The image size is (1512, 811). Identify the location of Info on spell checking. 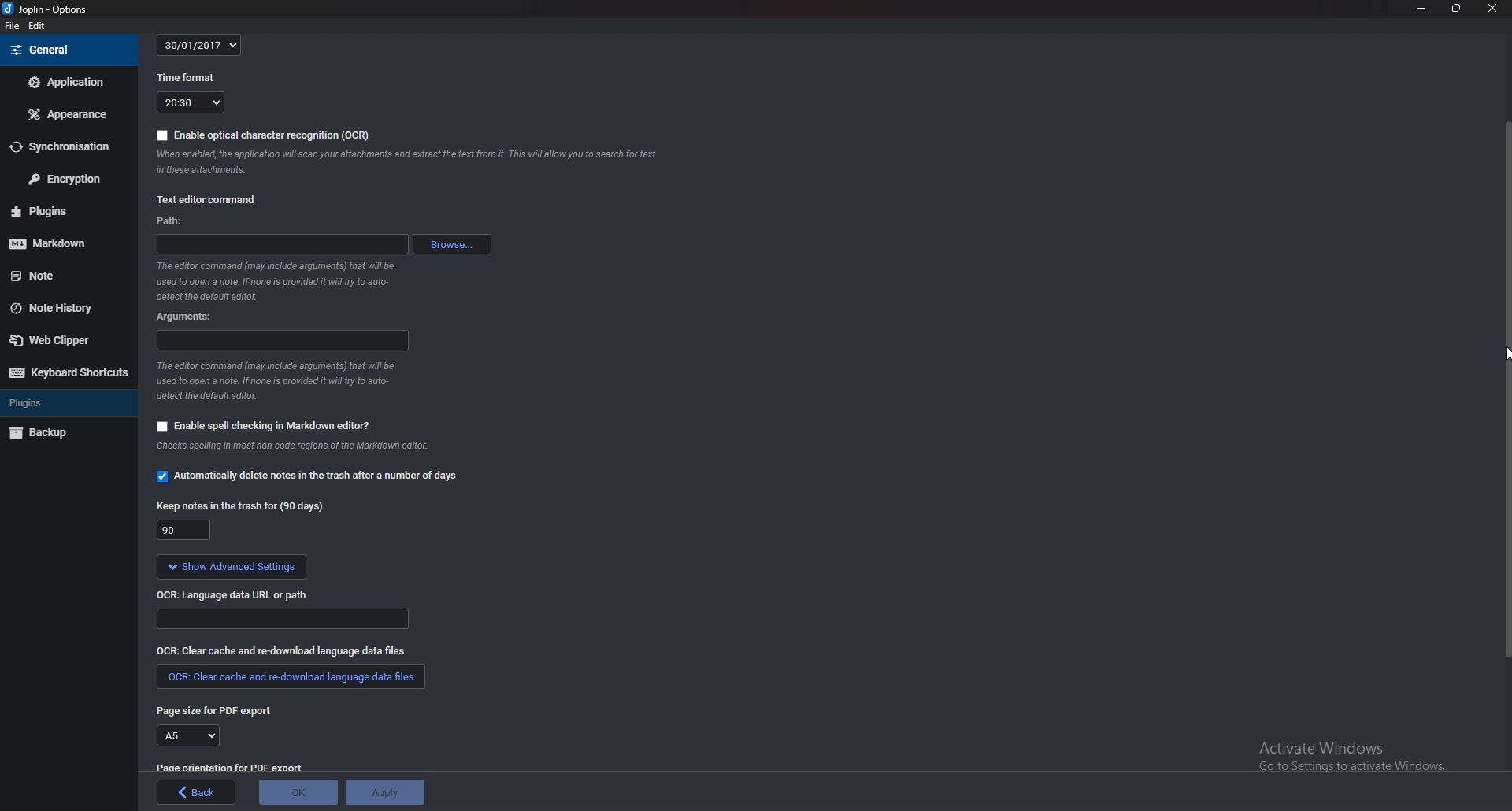
(300, 449).